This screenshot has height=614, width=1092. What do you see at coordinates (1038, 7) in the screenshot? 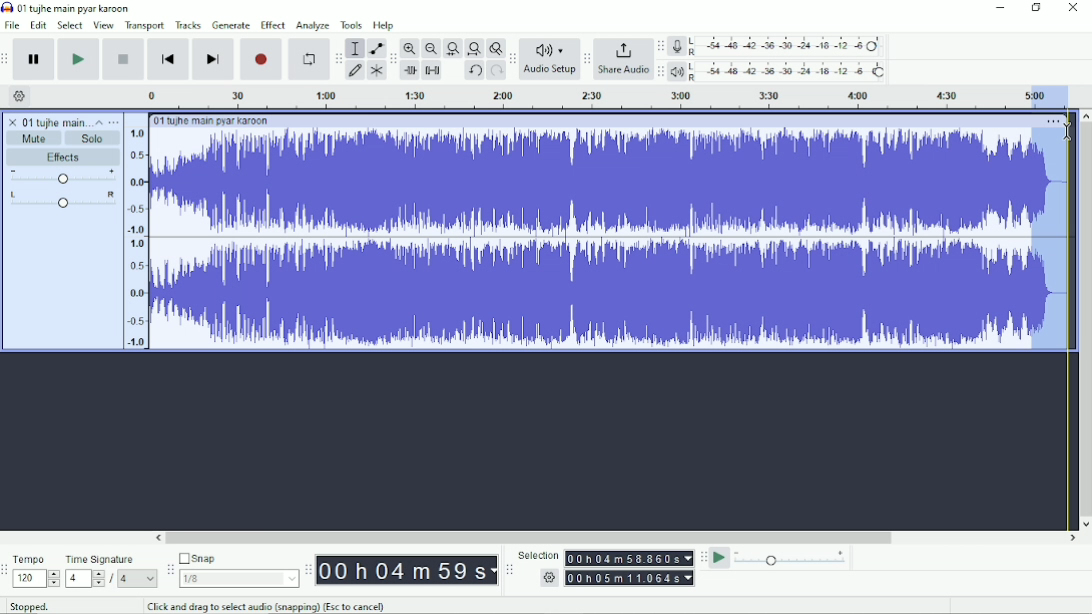
I see `Restore down` at bounding box center [1038, 7].